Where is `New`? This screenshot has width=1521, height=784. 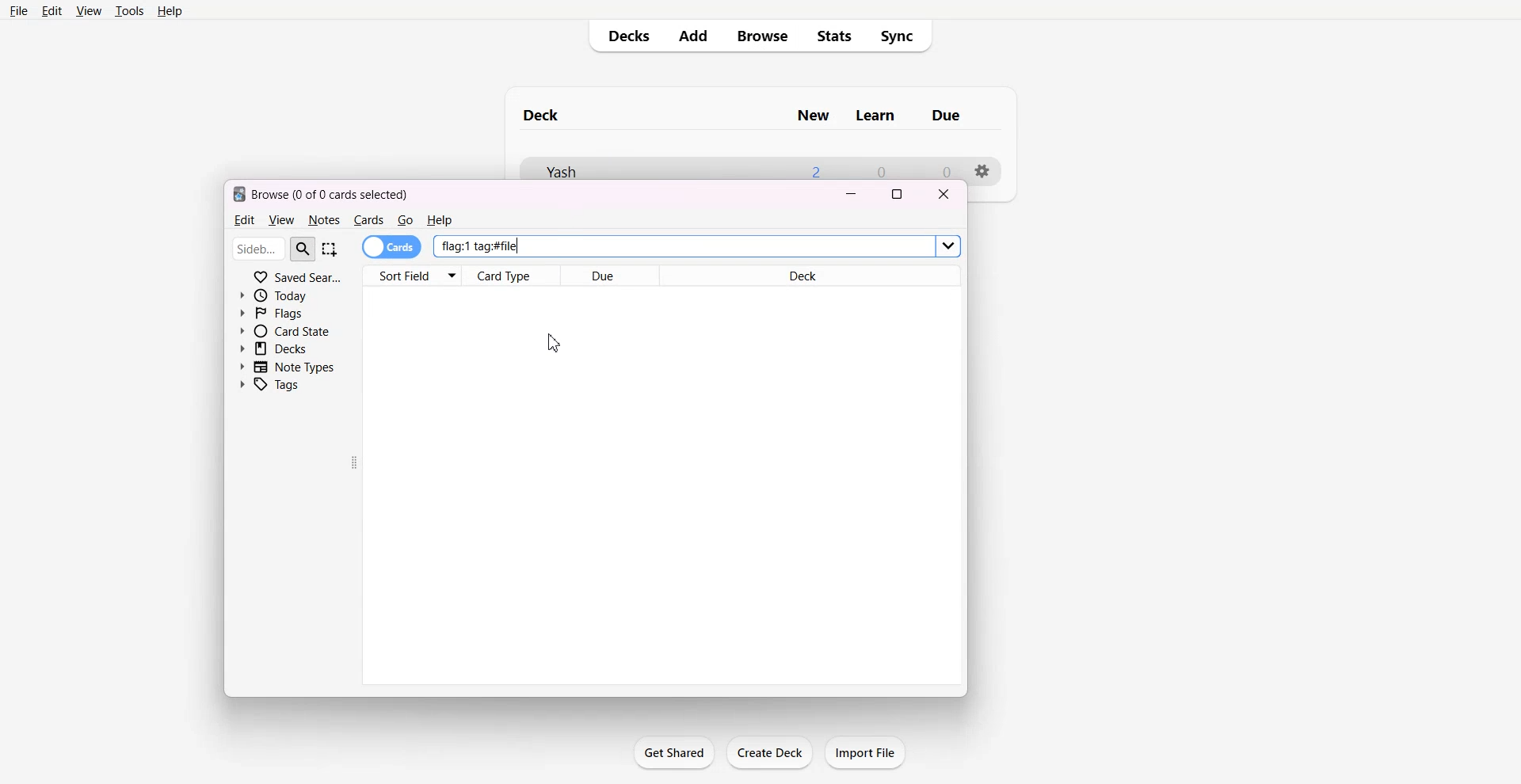 New is located at coordinates (807, 112).